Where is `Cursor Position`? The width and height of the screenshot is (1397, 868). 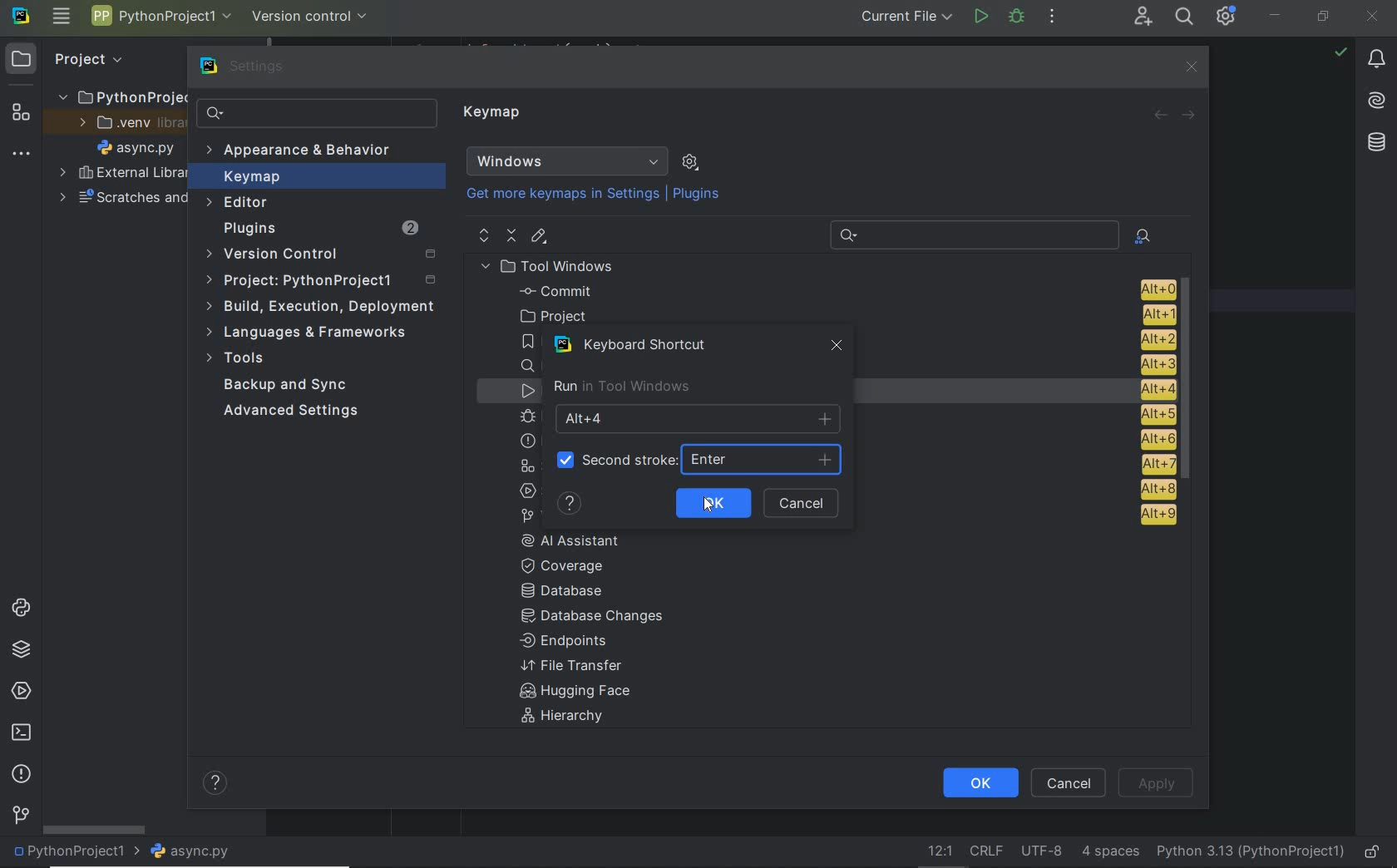
Cursor Position is located at coordinates (709, 505).